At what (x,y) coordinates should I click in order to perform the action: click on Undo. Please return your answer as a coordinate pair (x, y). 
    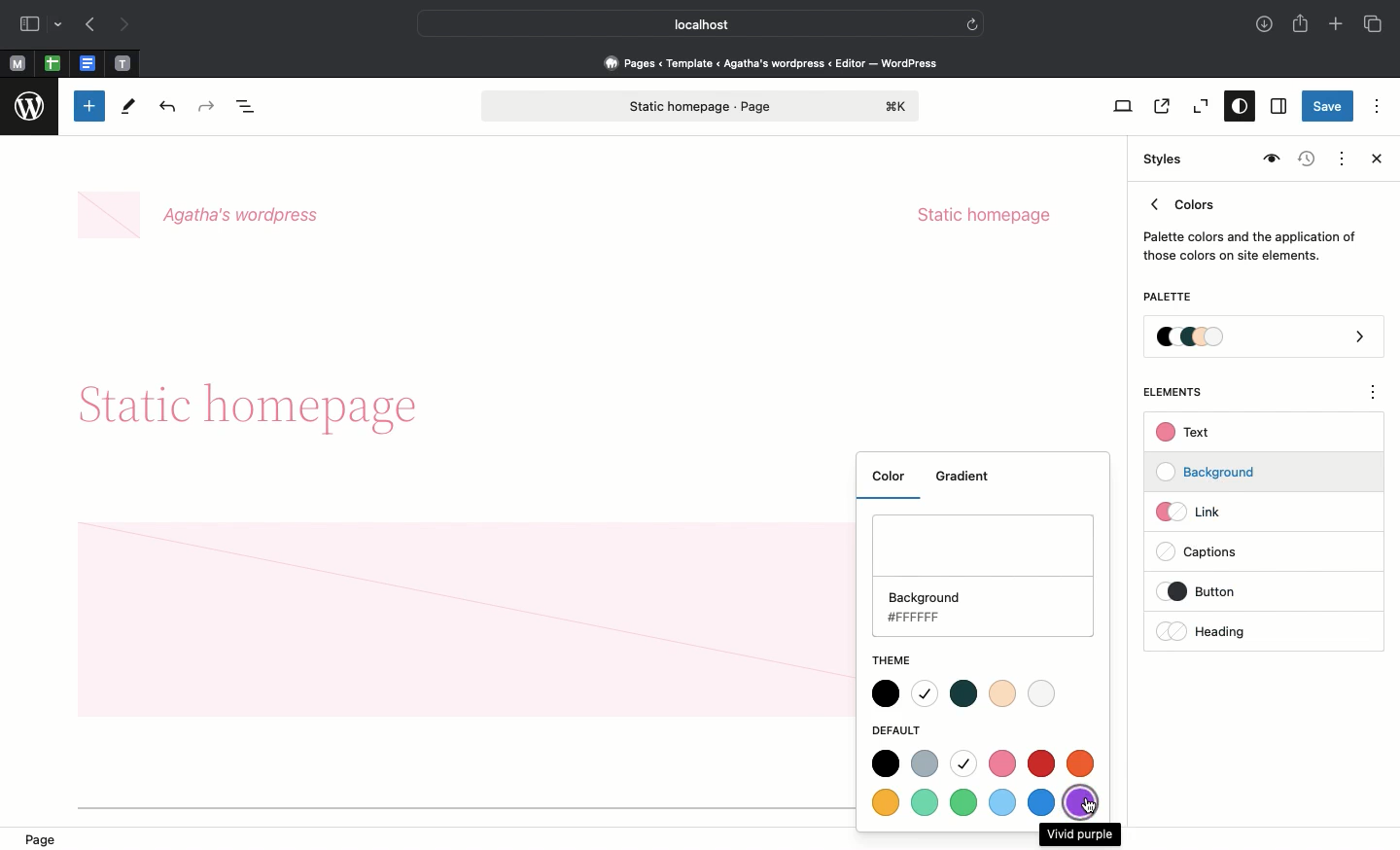
    Looking at the image, I should click on (167, 108).